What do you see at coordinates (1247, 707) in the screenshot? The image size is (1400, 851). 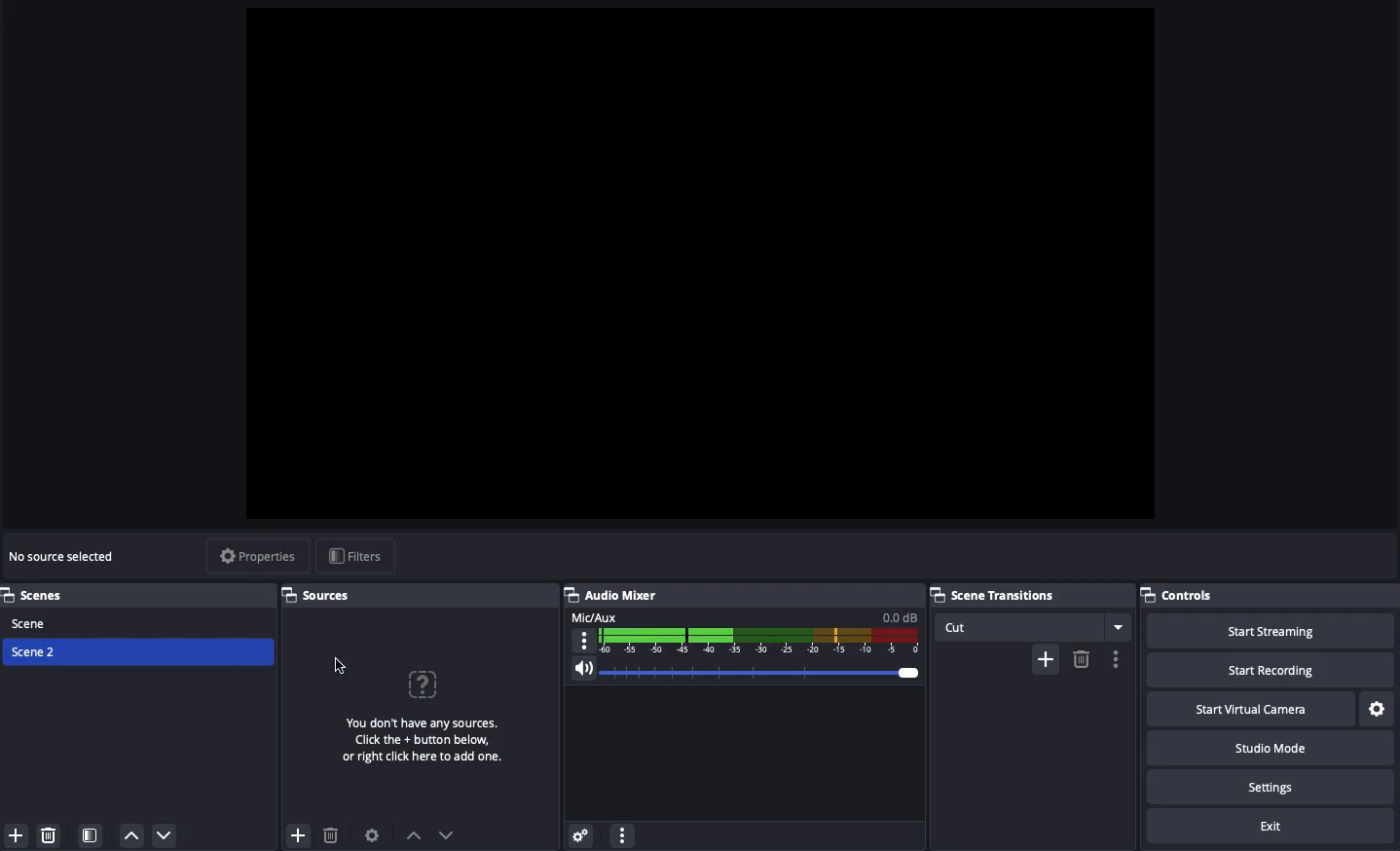 I see `Start virtual camera` at bounding box center [1247, 707].